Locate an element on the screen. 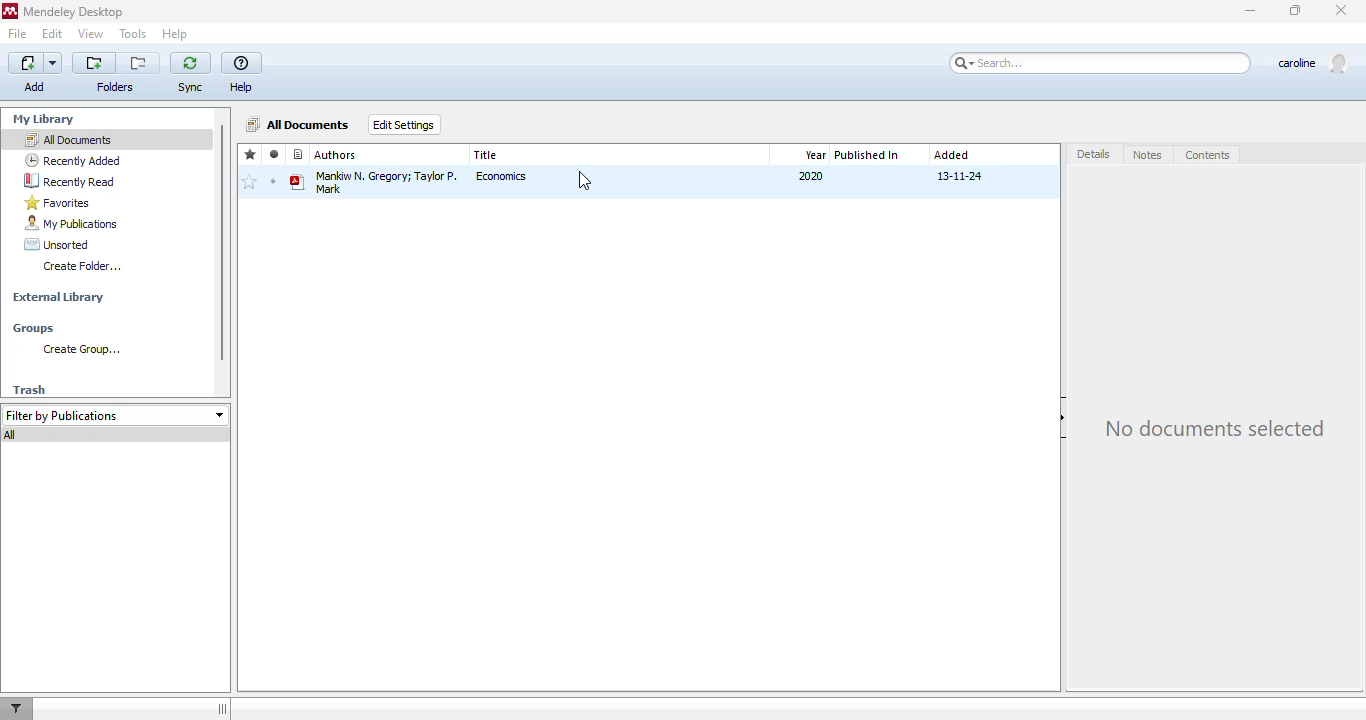  edit is located at coordinates (52, 33).